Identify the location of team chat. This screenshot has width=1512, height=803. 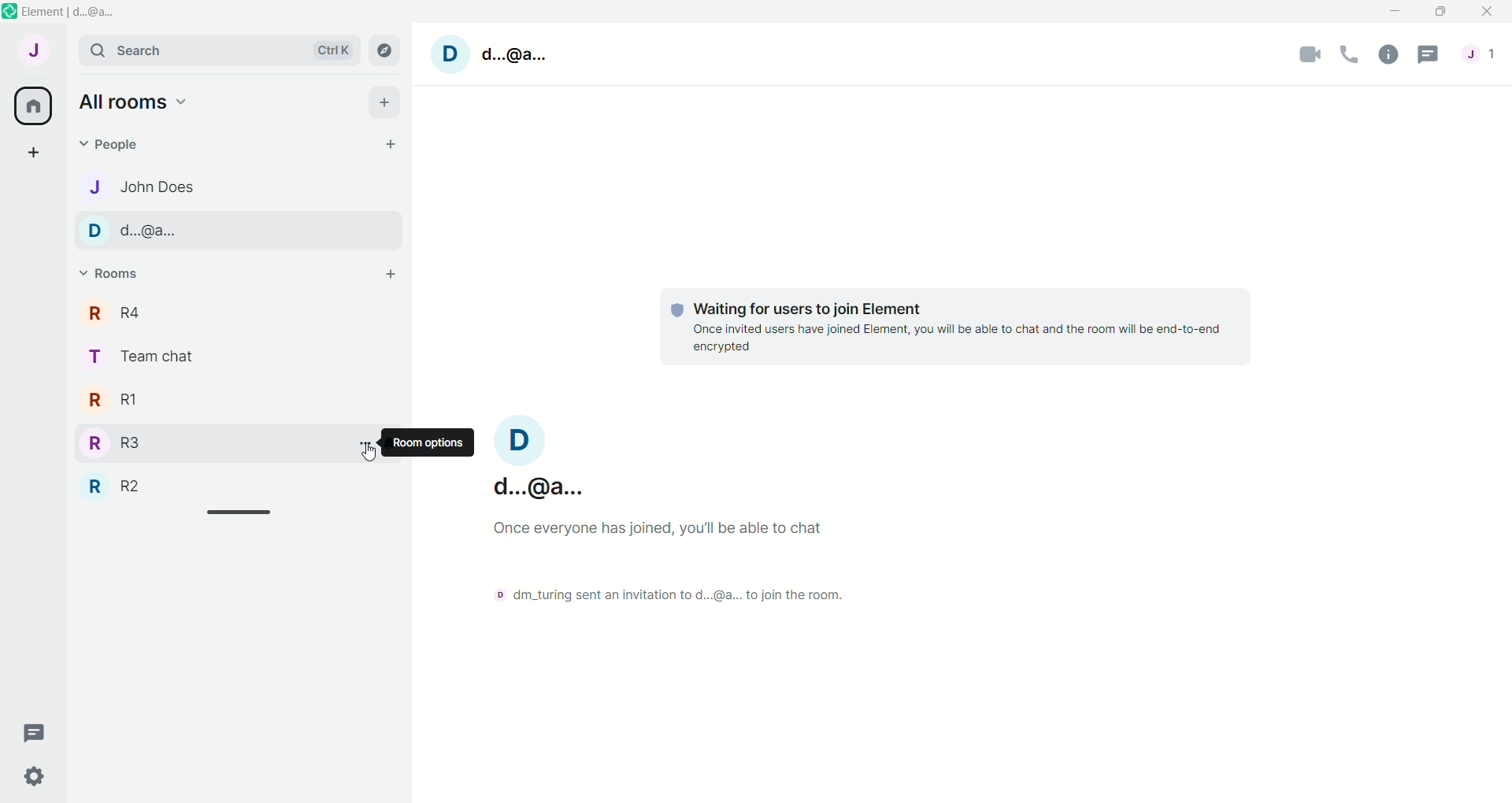
(238, 354).